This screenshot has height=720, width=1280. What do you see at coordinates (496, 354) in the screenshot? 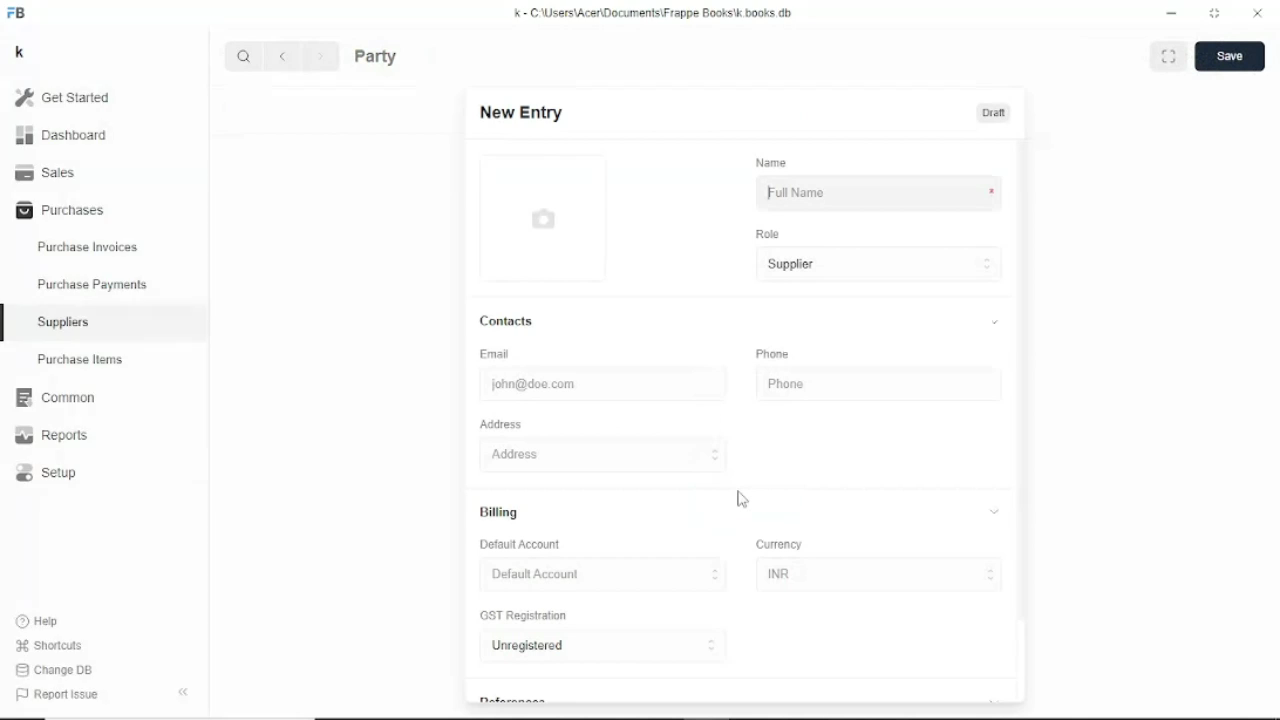
I see `Email` at bounding box center [496, 354].